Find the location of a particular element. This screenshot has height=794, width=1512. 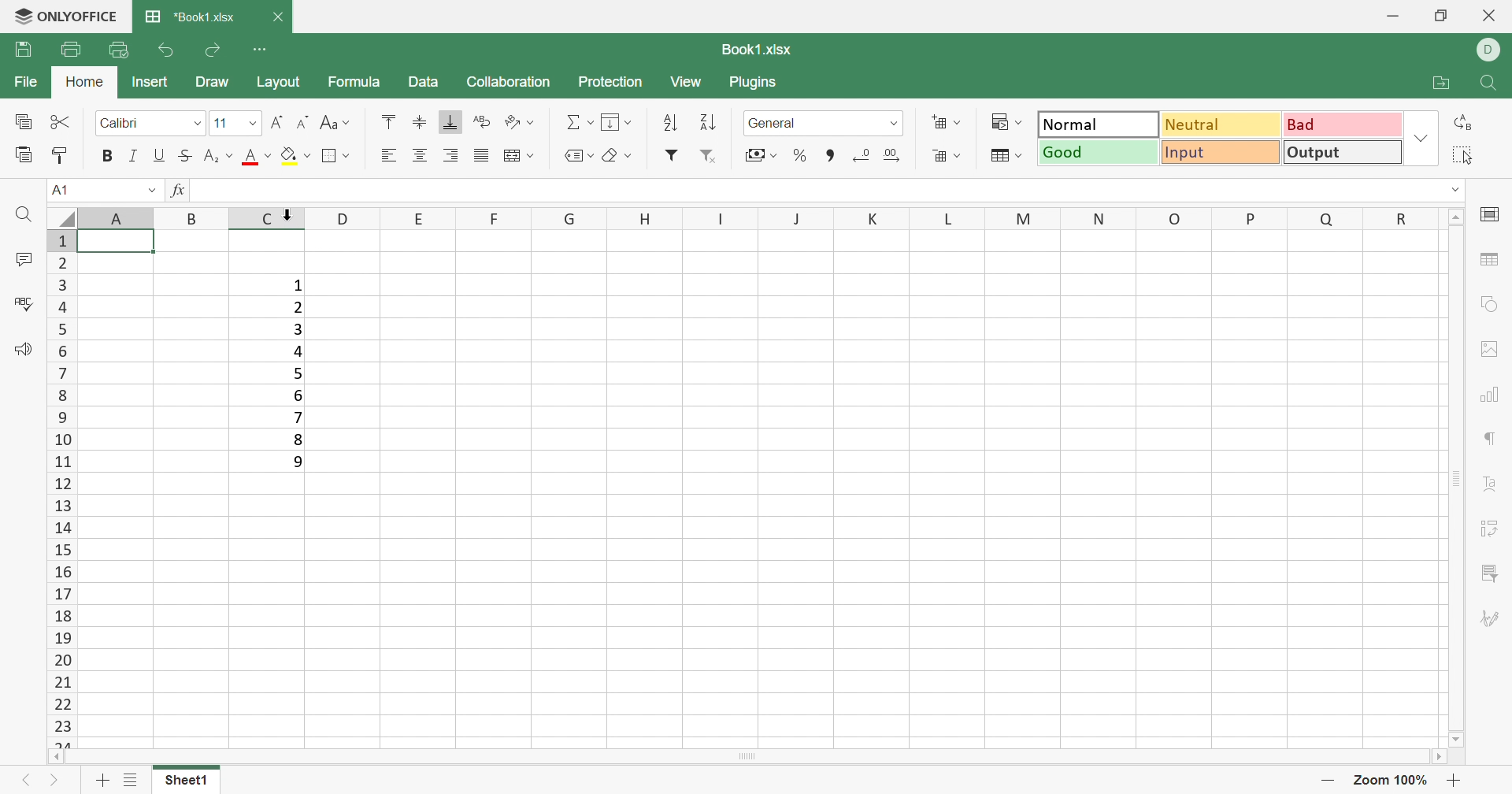

Normal is located at coordinates (1102, 123).